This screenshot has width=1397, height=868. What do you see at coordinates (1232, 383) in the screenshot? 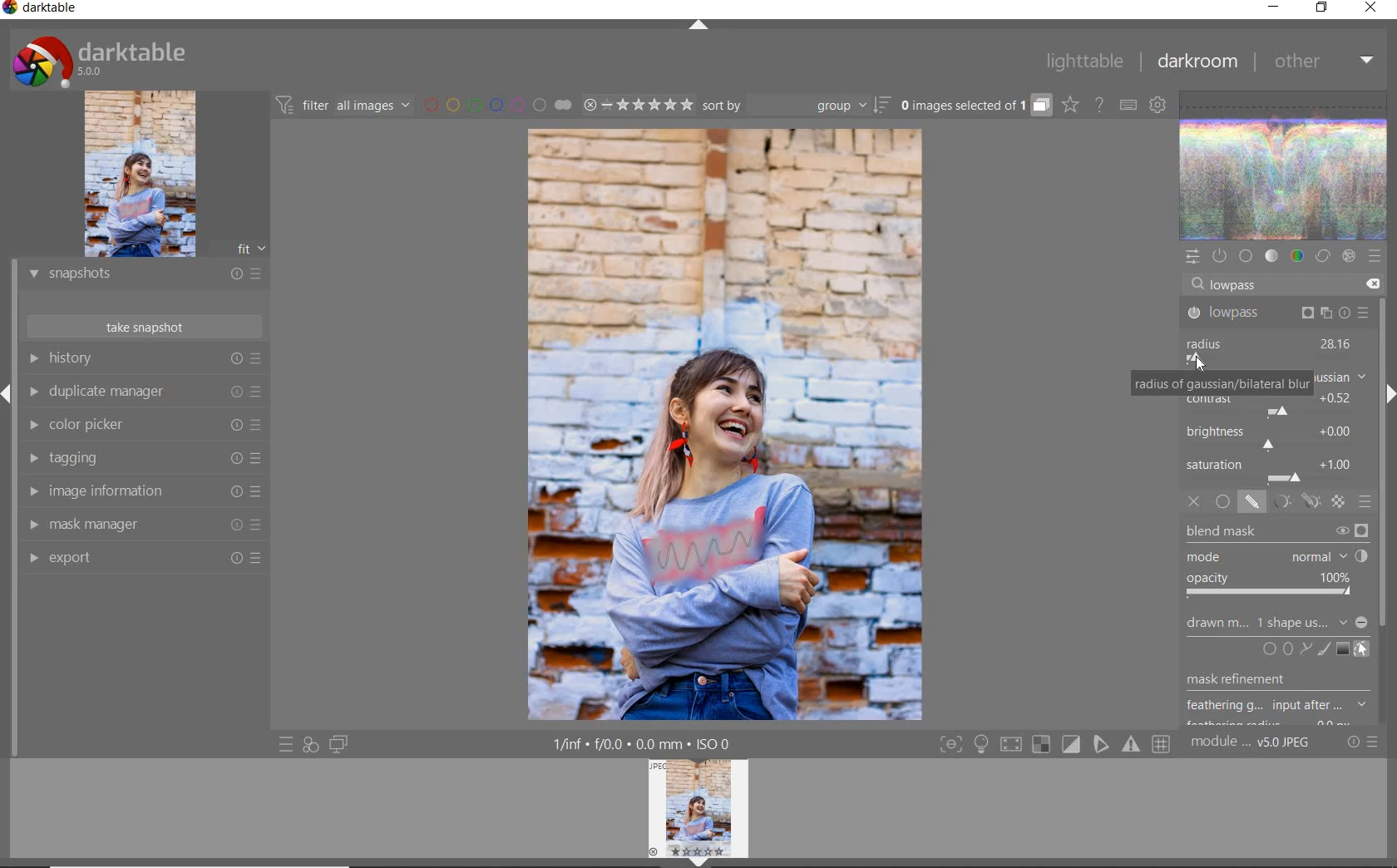
I see `radius of gaussian/bilateral blur` at bounding box center [1232, 383].